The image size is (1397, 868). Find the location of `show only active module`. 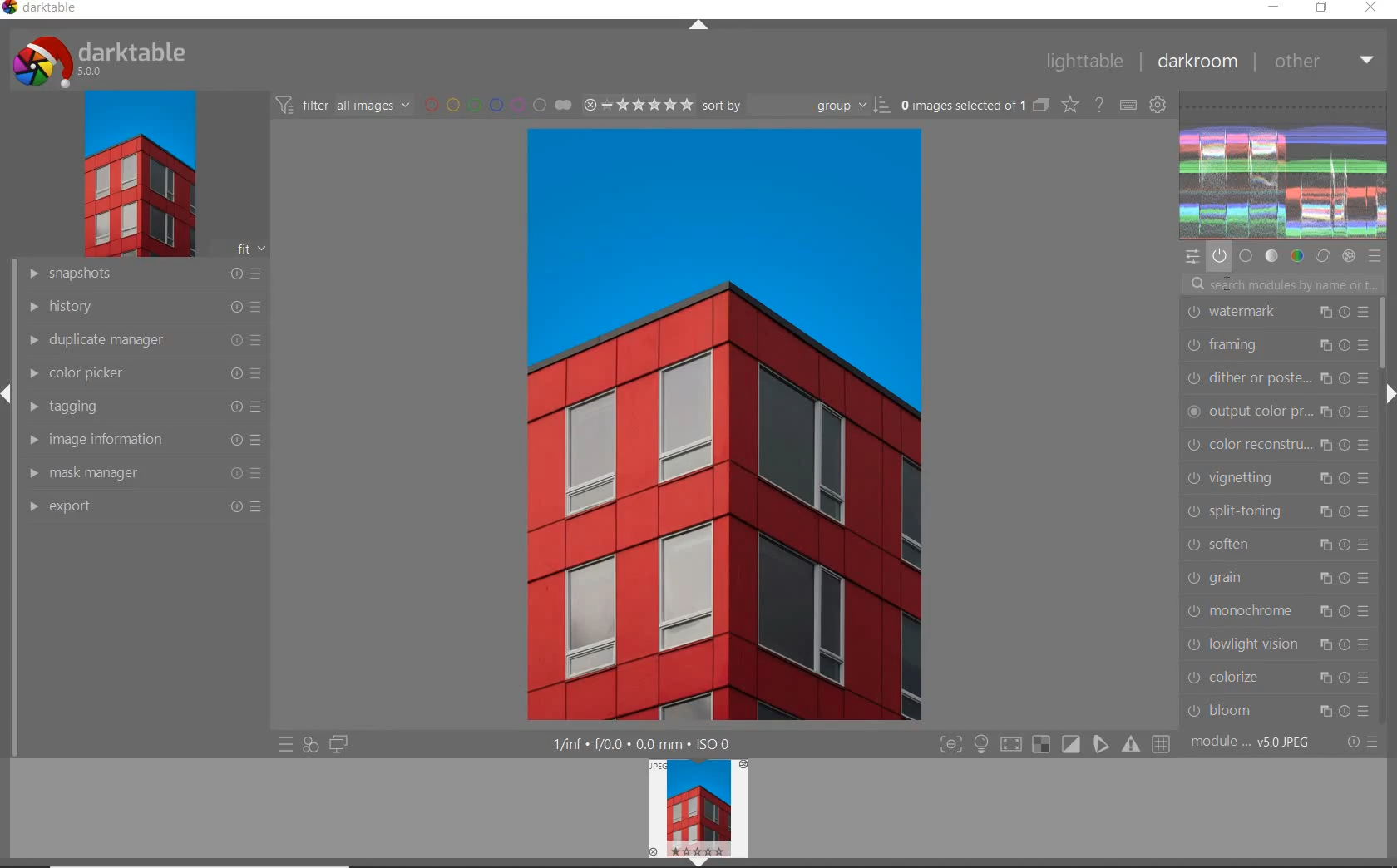

show only active module is located at coordinates (1220, 257).